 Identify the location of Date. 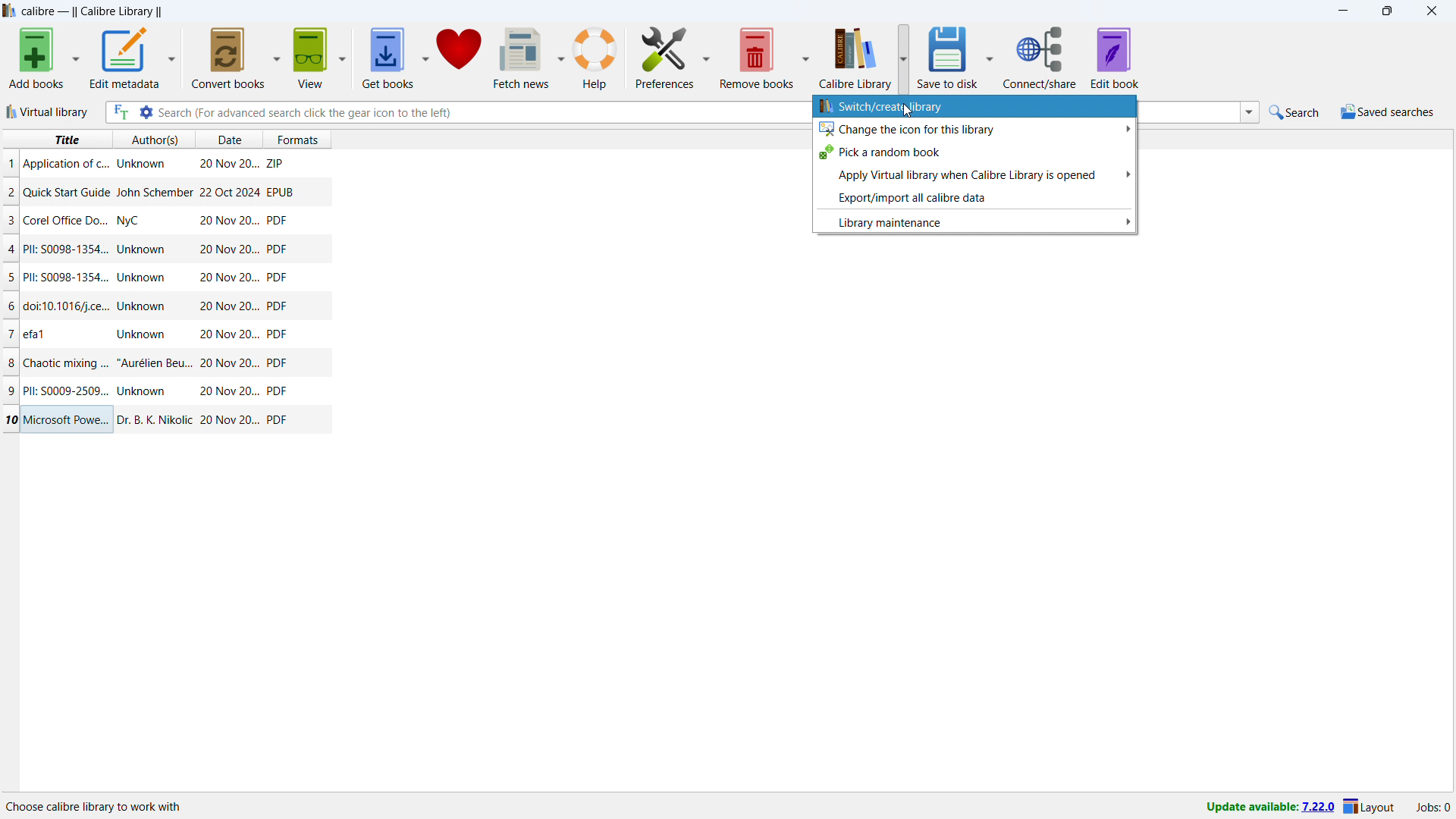
(231, 363).